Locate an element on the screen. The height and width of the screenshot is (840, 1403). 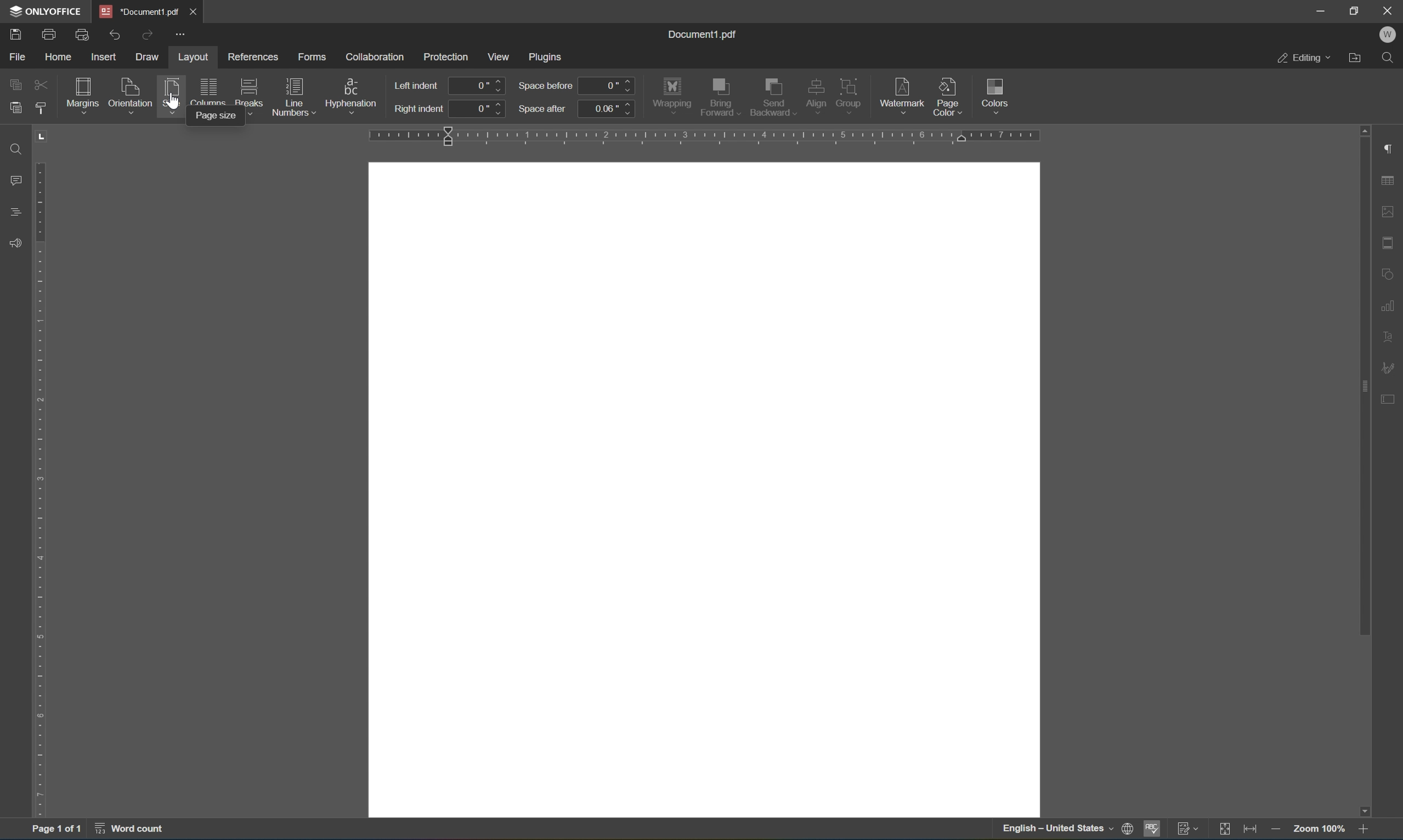
Form settings is located at coordinates (1388, 397).